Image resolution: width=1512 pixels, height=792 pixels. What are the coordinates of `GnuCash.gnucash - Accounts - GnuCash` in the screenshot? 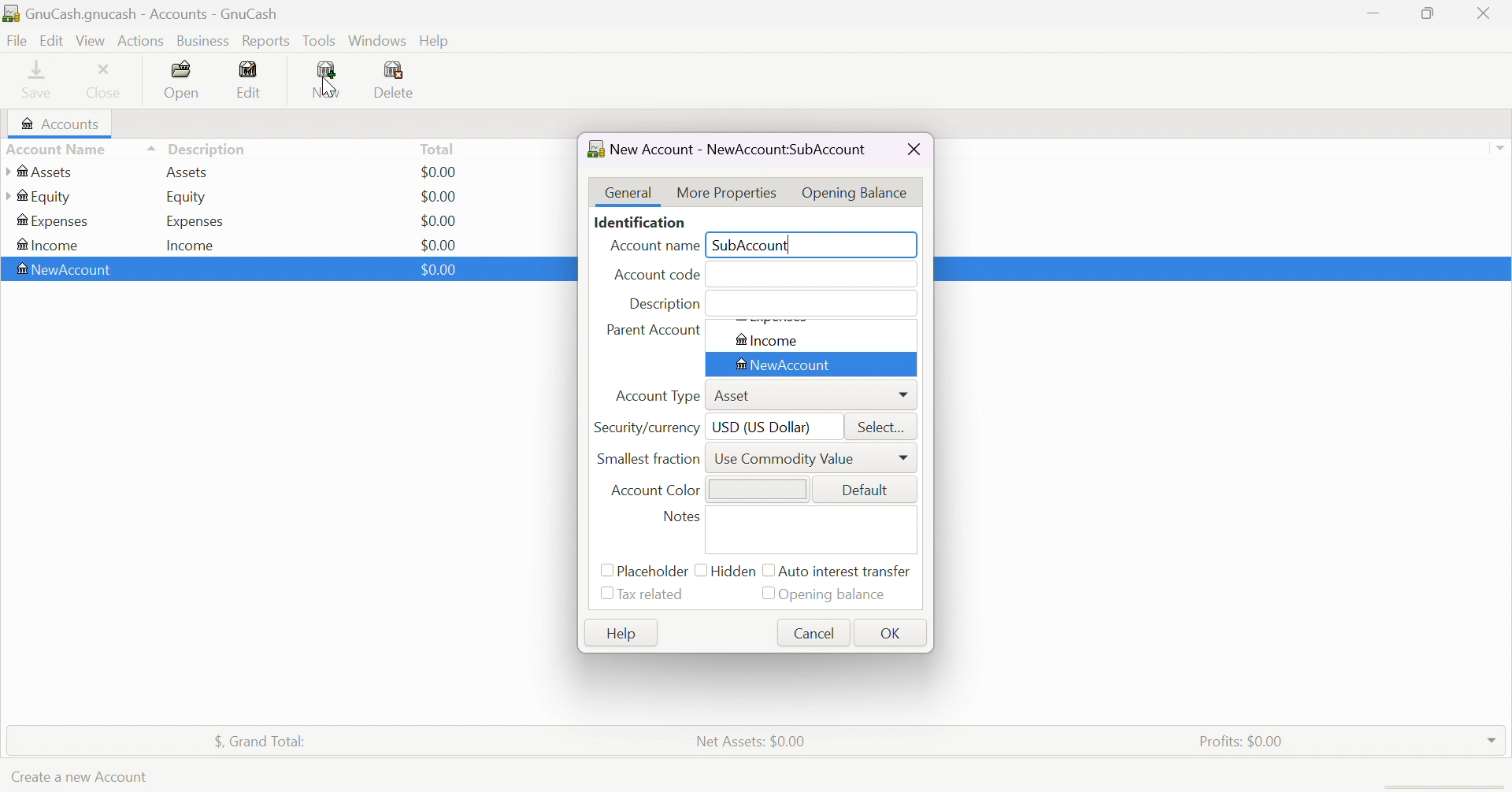 It's located at (146, 14).